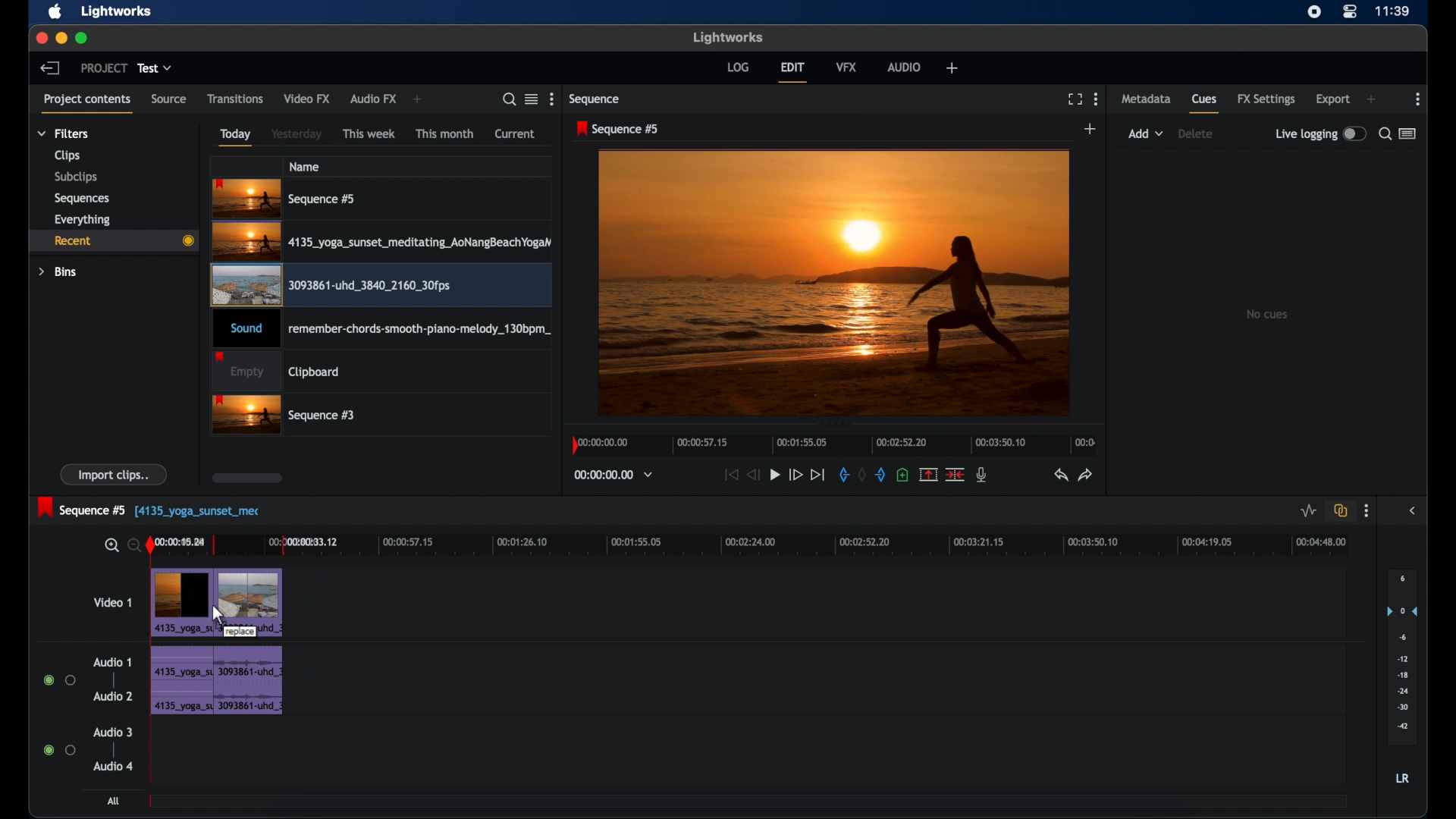 This screenshot has height=819, width=1456. Describe the element at coordinates (928, 475) in the screenshot. I see `remove  marked section` at that location.